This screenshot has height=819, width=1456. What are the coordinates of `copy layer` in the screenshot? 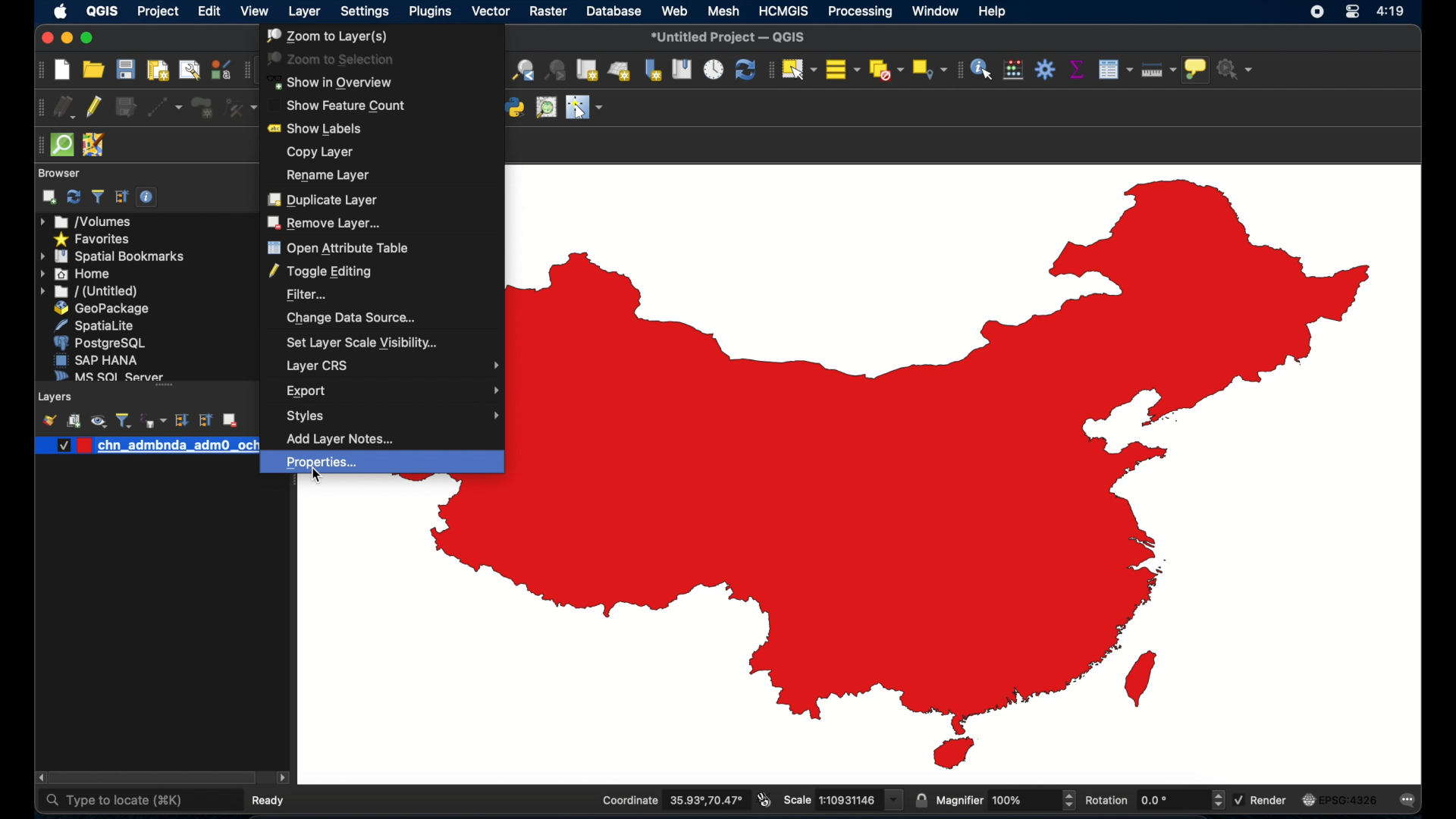 It's located at (320, 151).